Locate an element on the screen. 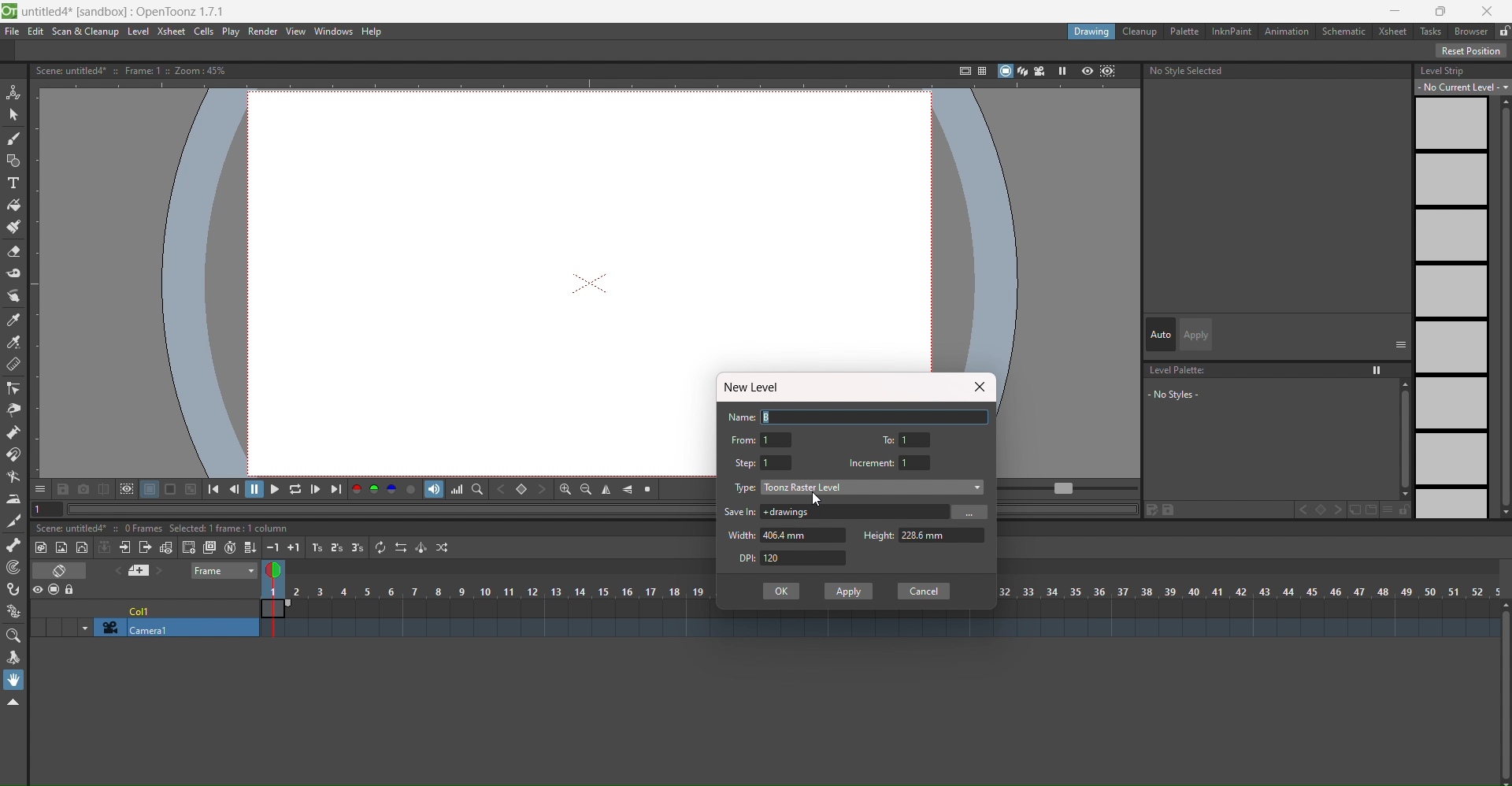 This screenshot has width=1512, height=786. cutter tool is located at coordinates (12, 522).